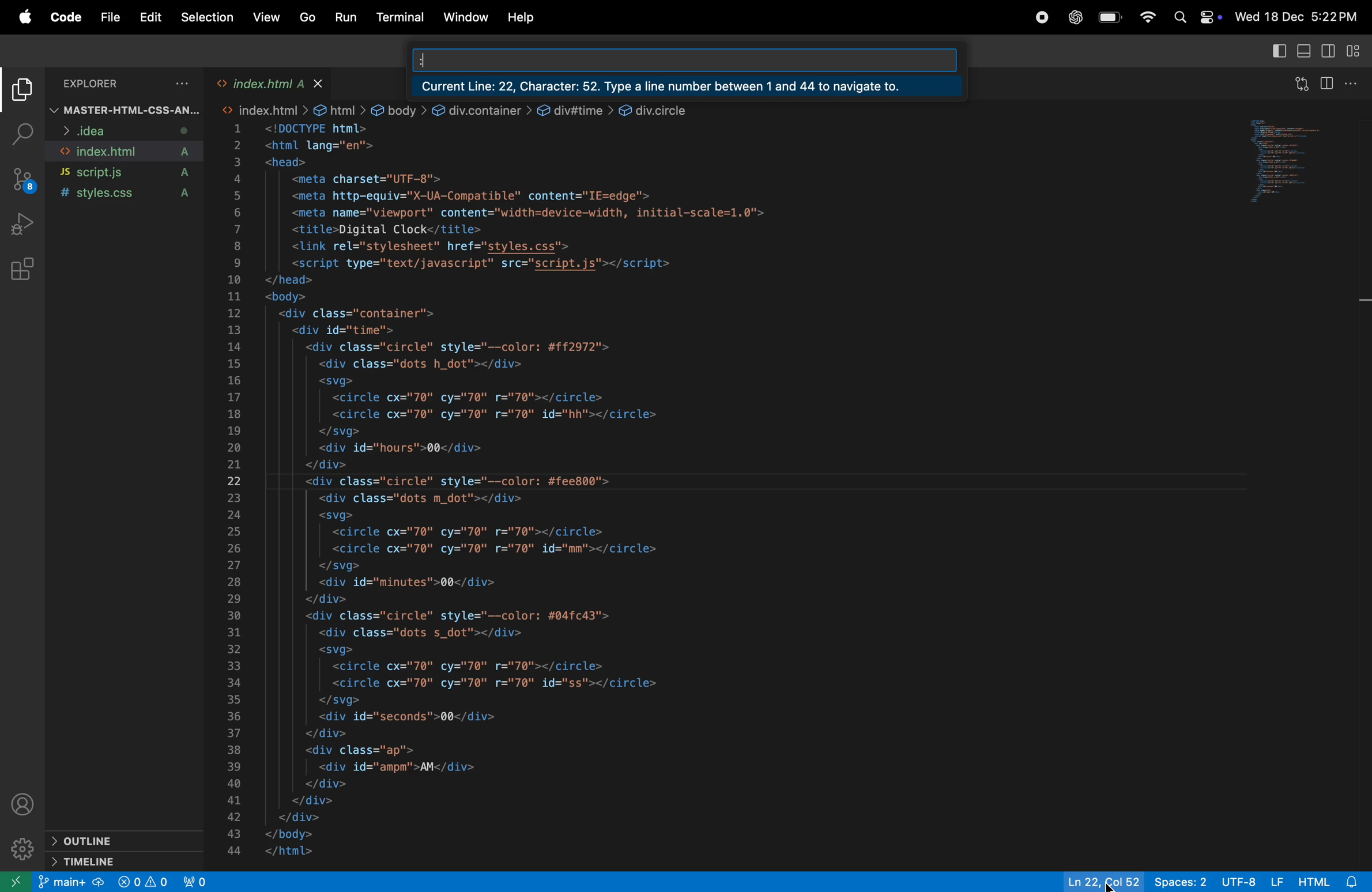 This screenshot has height=892, width=1372. Describe the element at coordinates (1110, 883) in the screenshot. I see `cursor` at that location.